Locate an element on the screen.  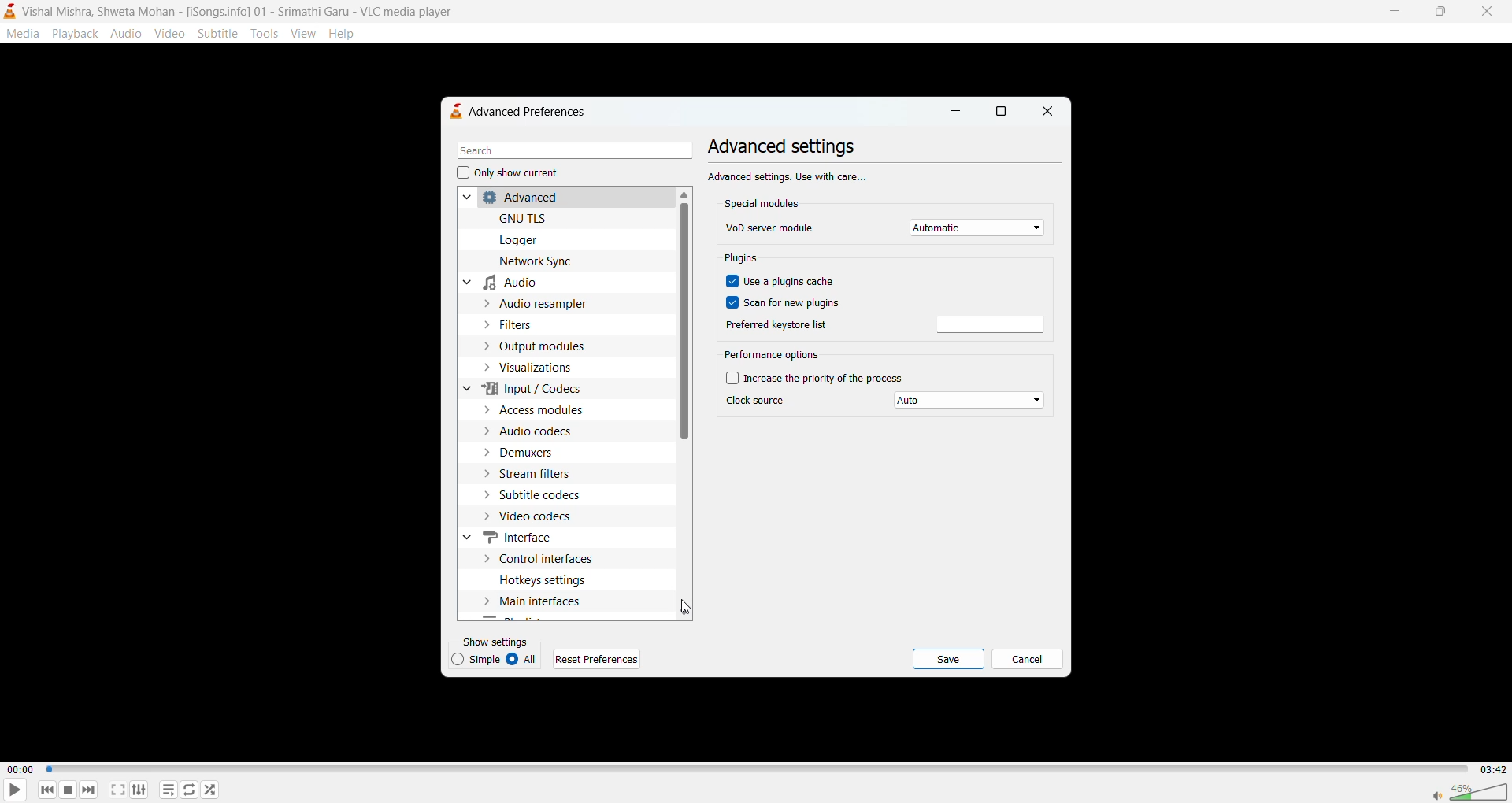
close is located at coordinates (1482, 12).